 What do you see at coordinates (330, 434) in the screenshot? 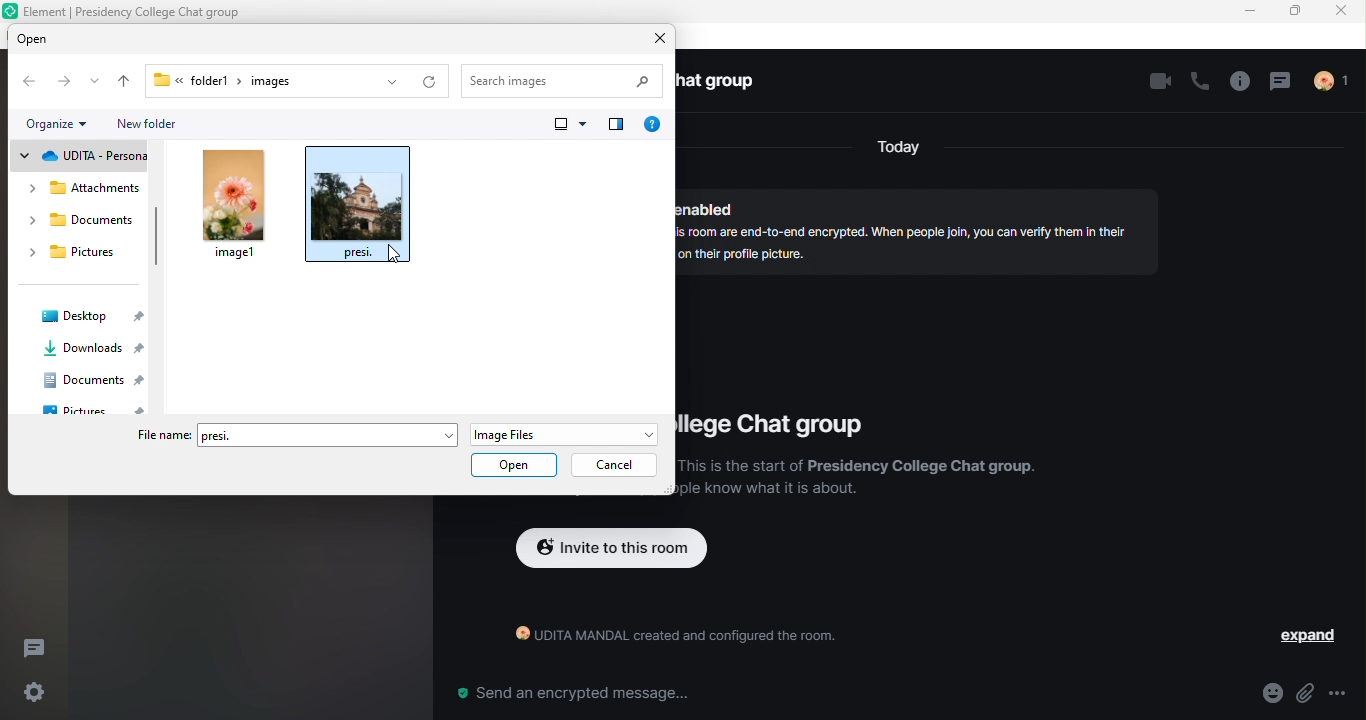
I see `presi` at bounding box center [330, 434].